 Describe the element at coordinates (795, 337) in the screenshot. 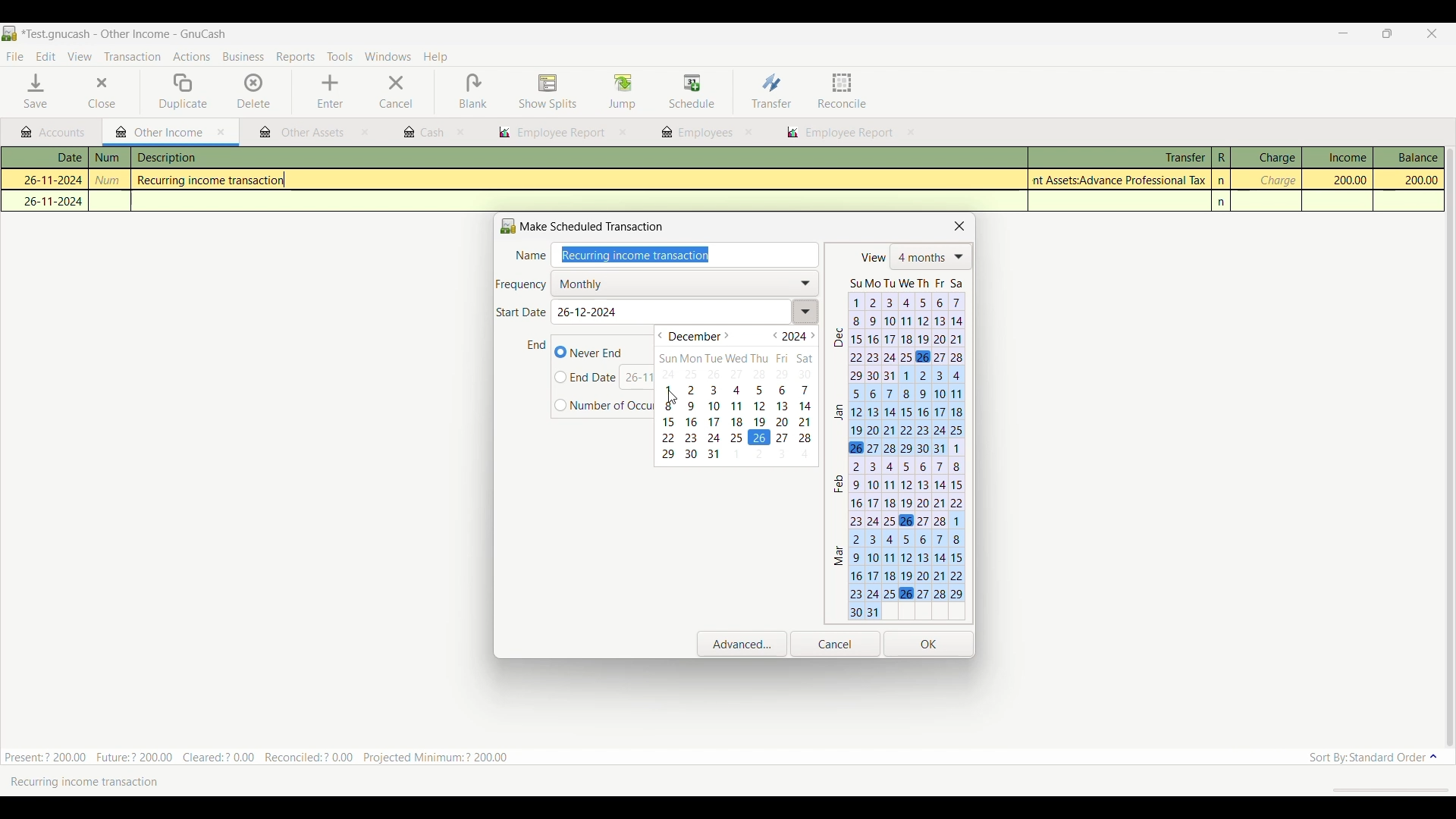

I see `Current year` at that location.